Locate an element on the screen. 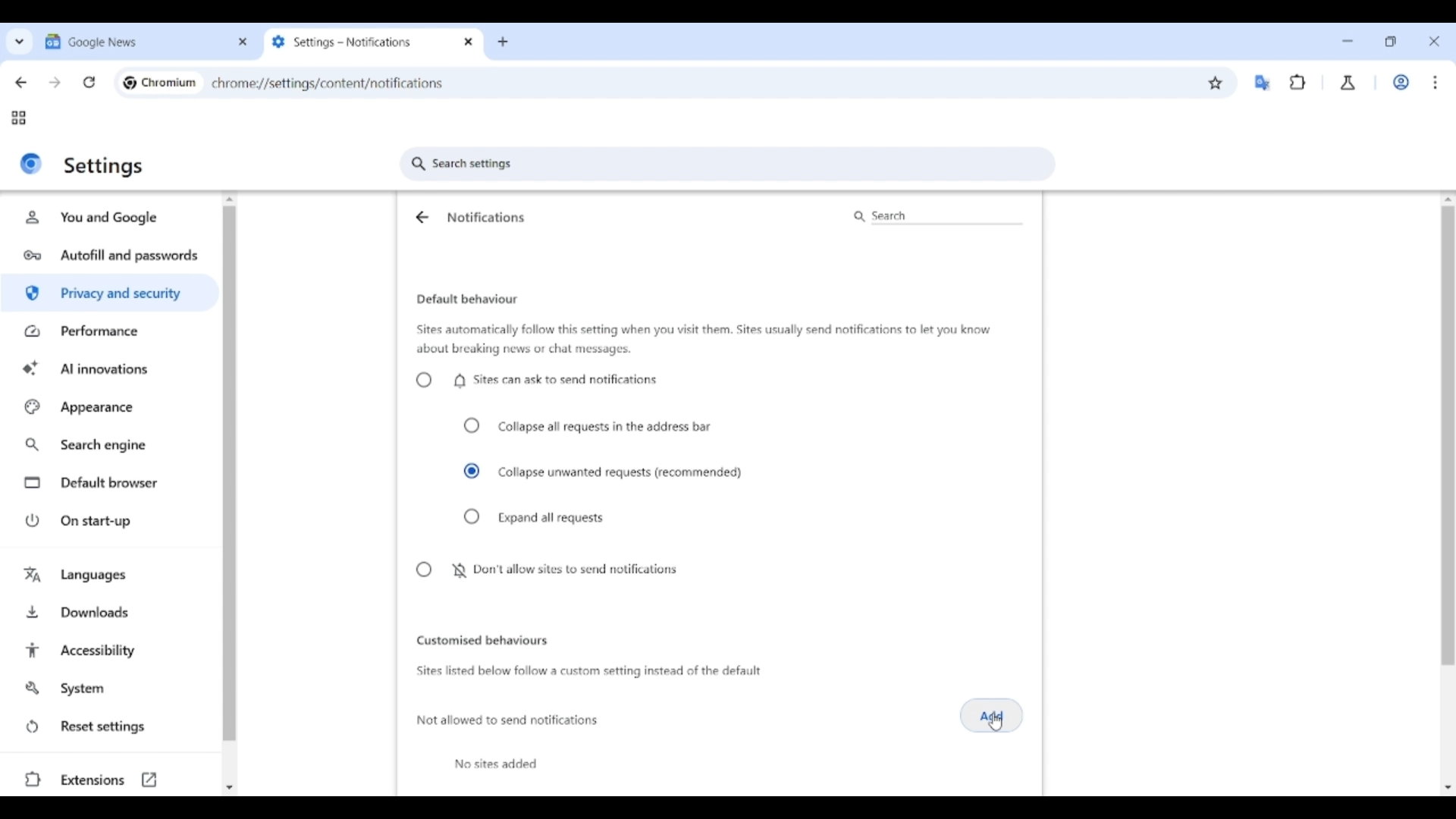  Search Google or enter web link is located at coordinates (815, 83).